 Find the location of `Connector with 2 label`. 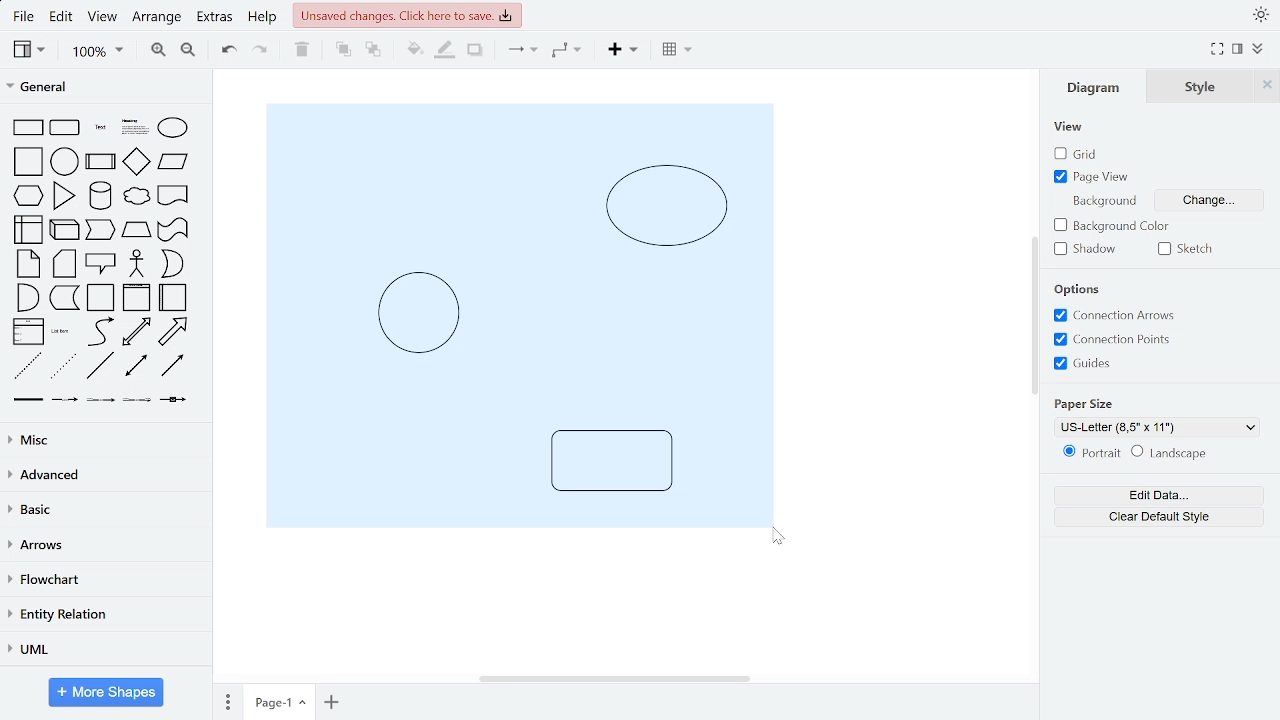

Connector with 2 label is located at coordinates (101, 404).